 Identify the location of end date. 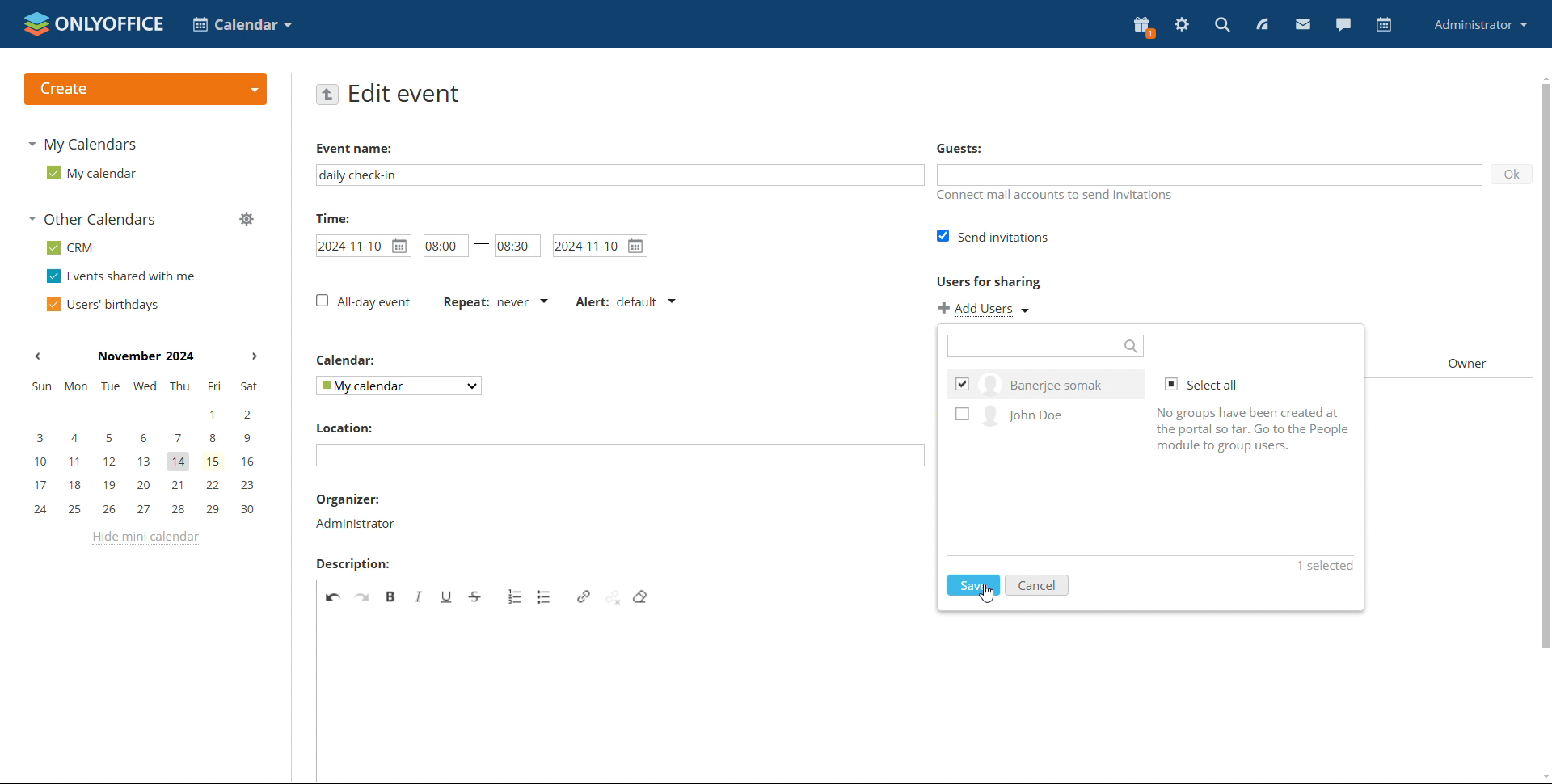
(601, 245).